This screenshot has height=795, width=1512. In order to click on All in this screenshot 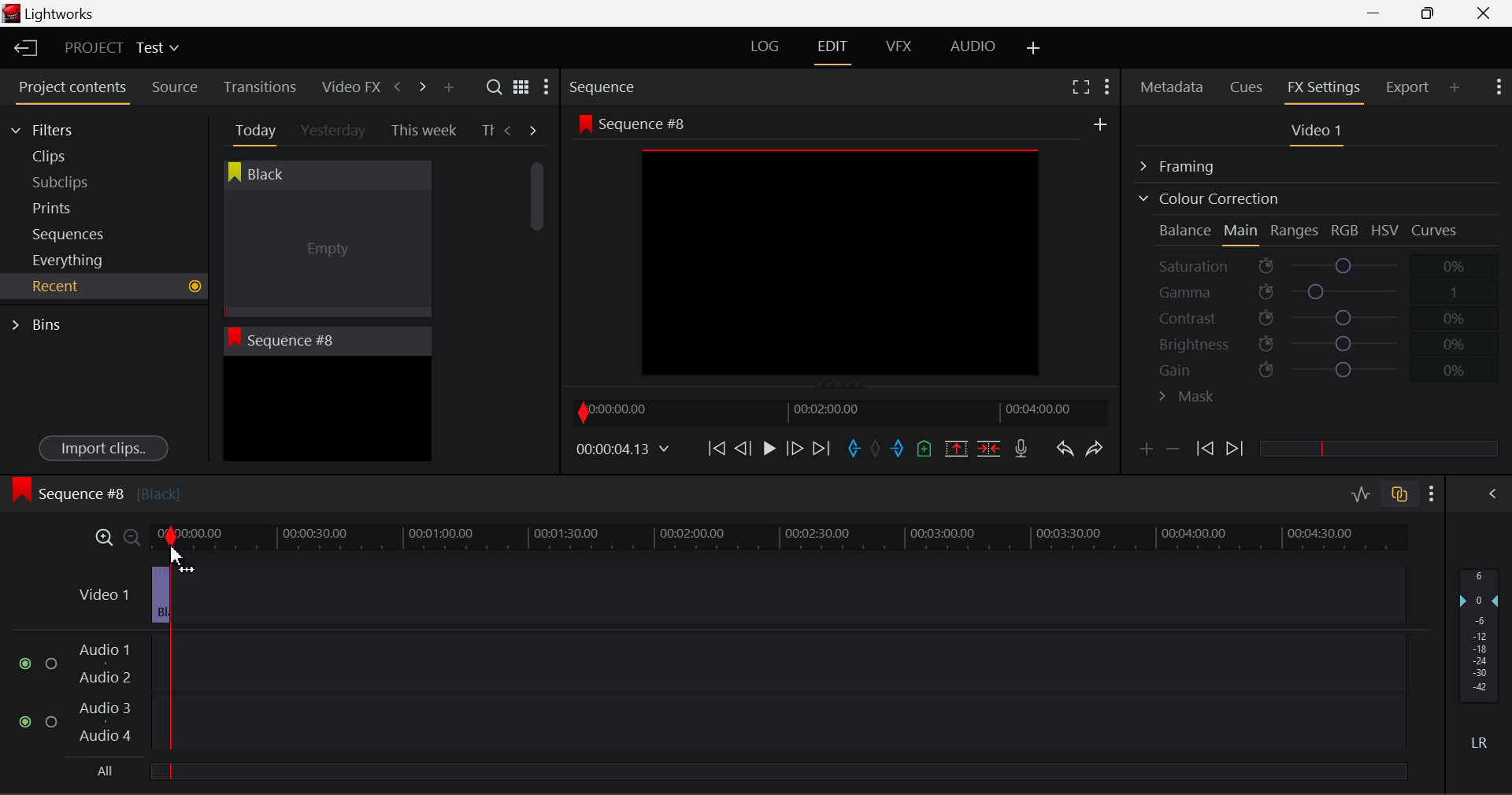, I will do `click(106, 771)`.